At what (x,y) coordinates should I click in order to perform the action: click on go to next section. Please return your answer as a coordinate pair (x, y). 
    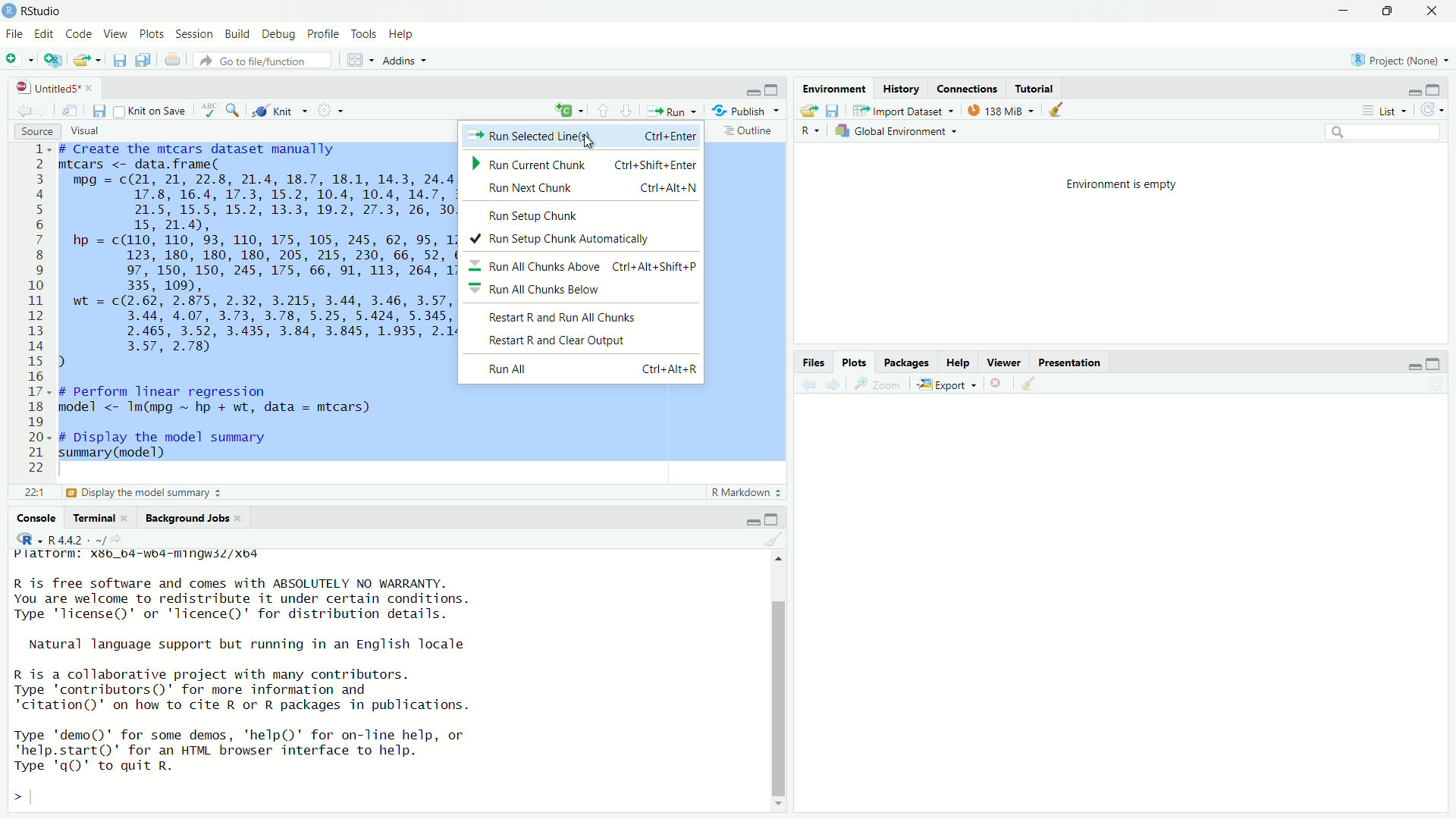
    Looking at the image, I should click on (627, 110).